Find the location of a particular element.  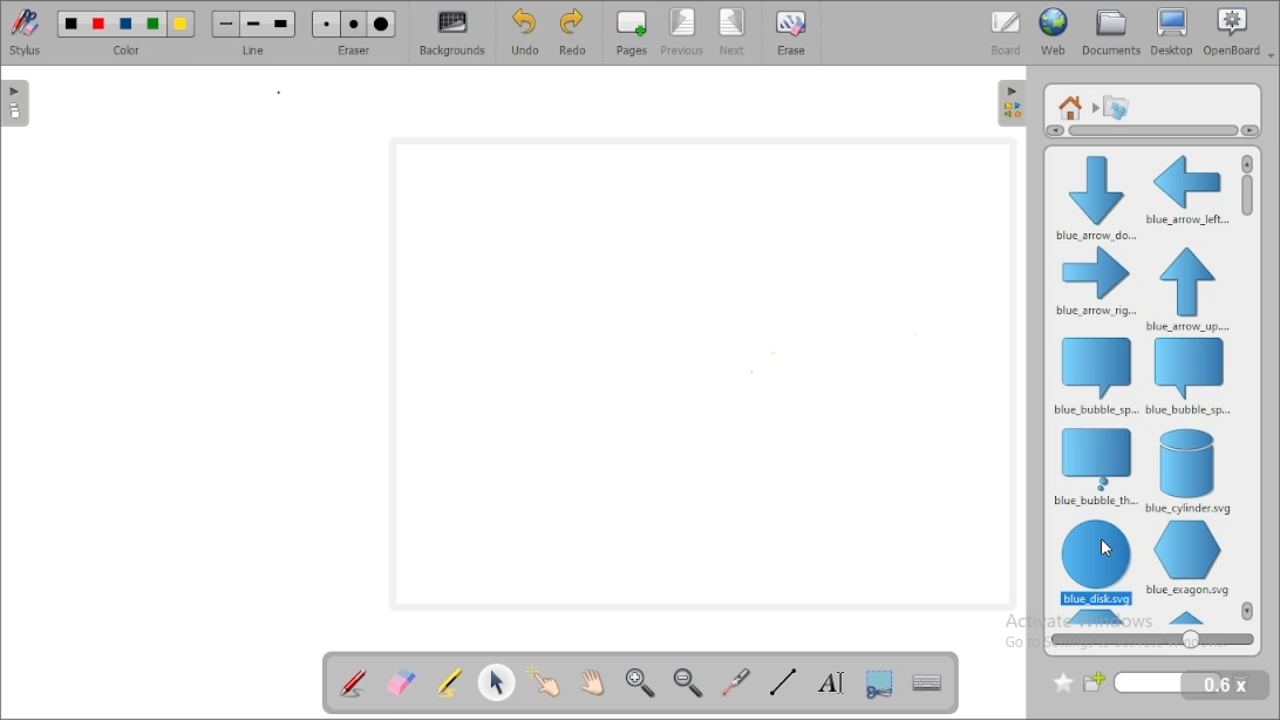

previous is located at coordinates (683, 33).